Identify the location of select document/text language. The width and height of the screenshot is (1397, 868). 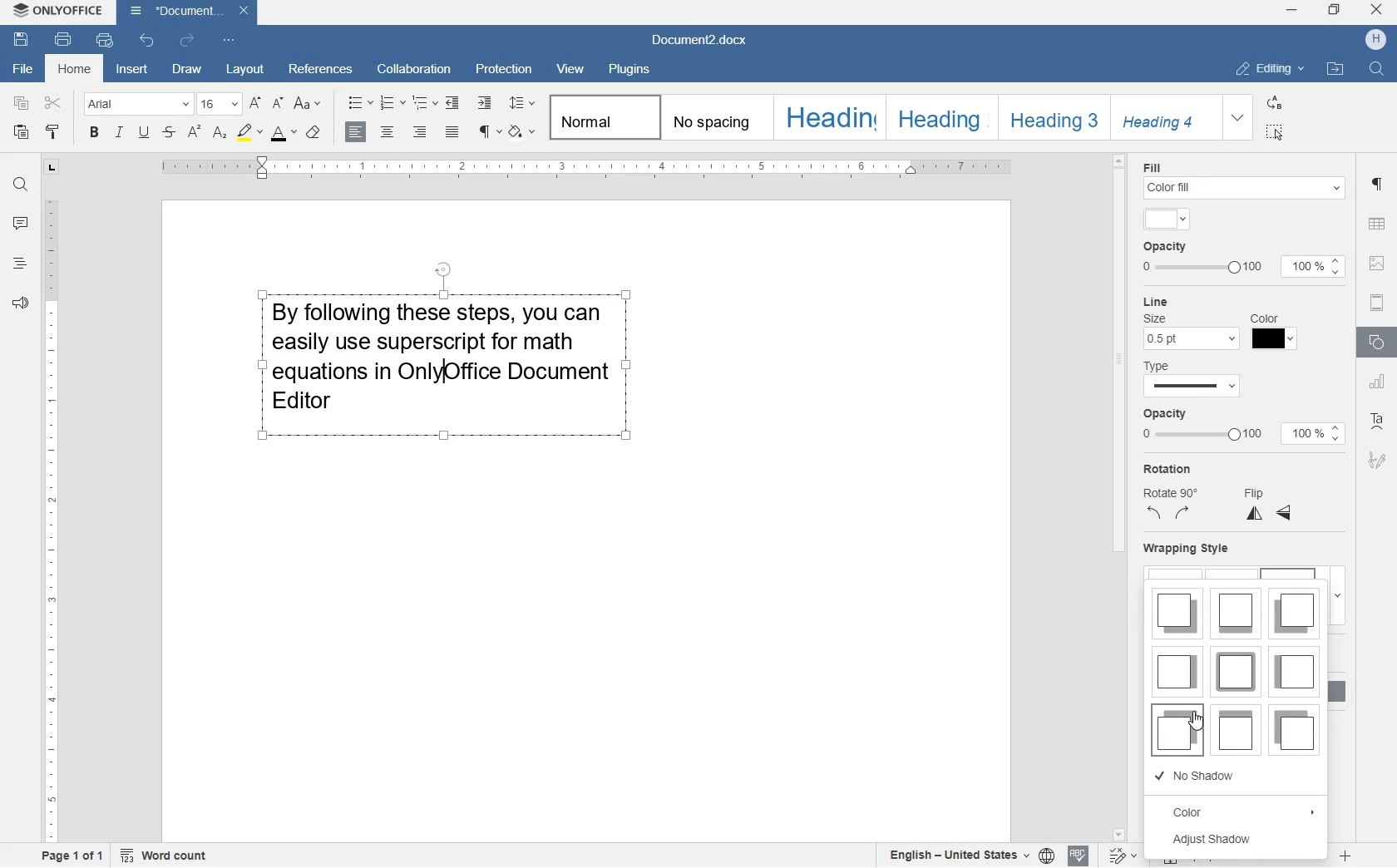
(968, 856).